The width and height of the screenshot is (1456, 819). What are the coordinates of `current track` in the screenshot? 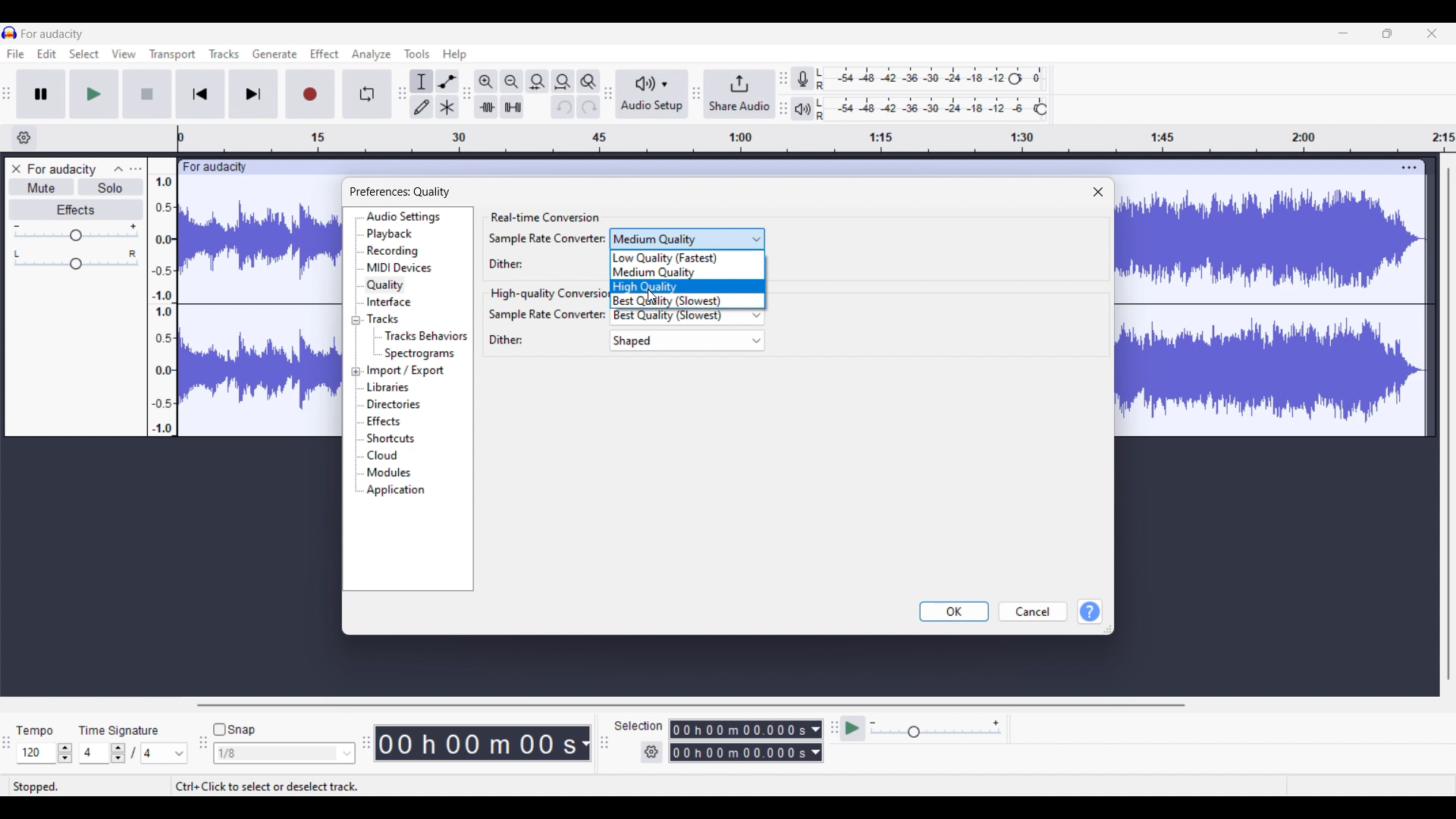 It's located at (260, 305).